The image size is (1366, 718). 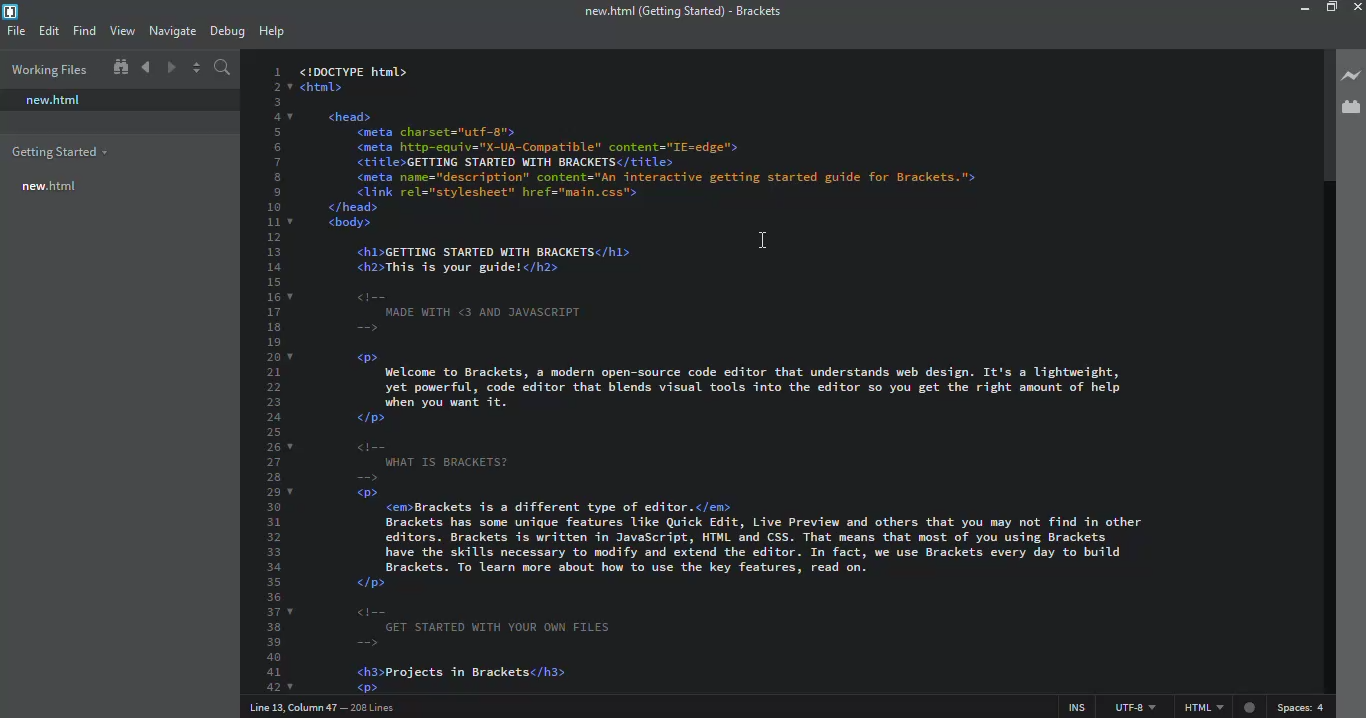 I want to click on test code, so click(x=726, y=373).